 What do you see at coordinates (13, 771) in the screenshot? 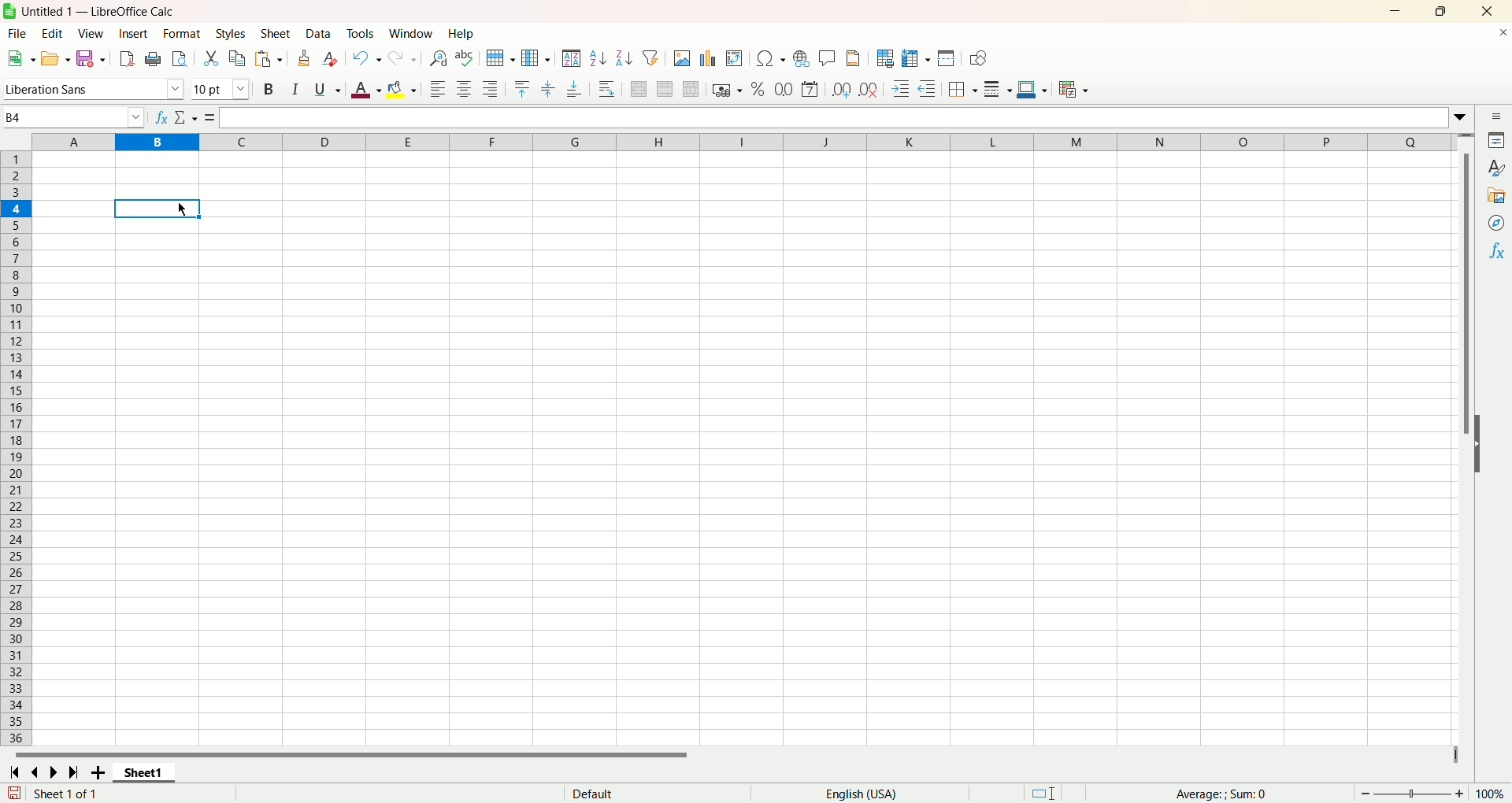
I see `first sheet` at bounding box center [13, 771].